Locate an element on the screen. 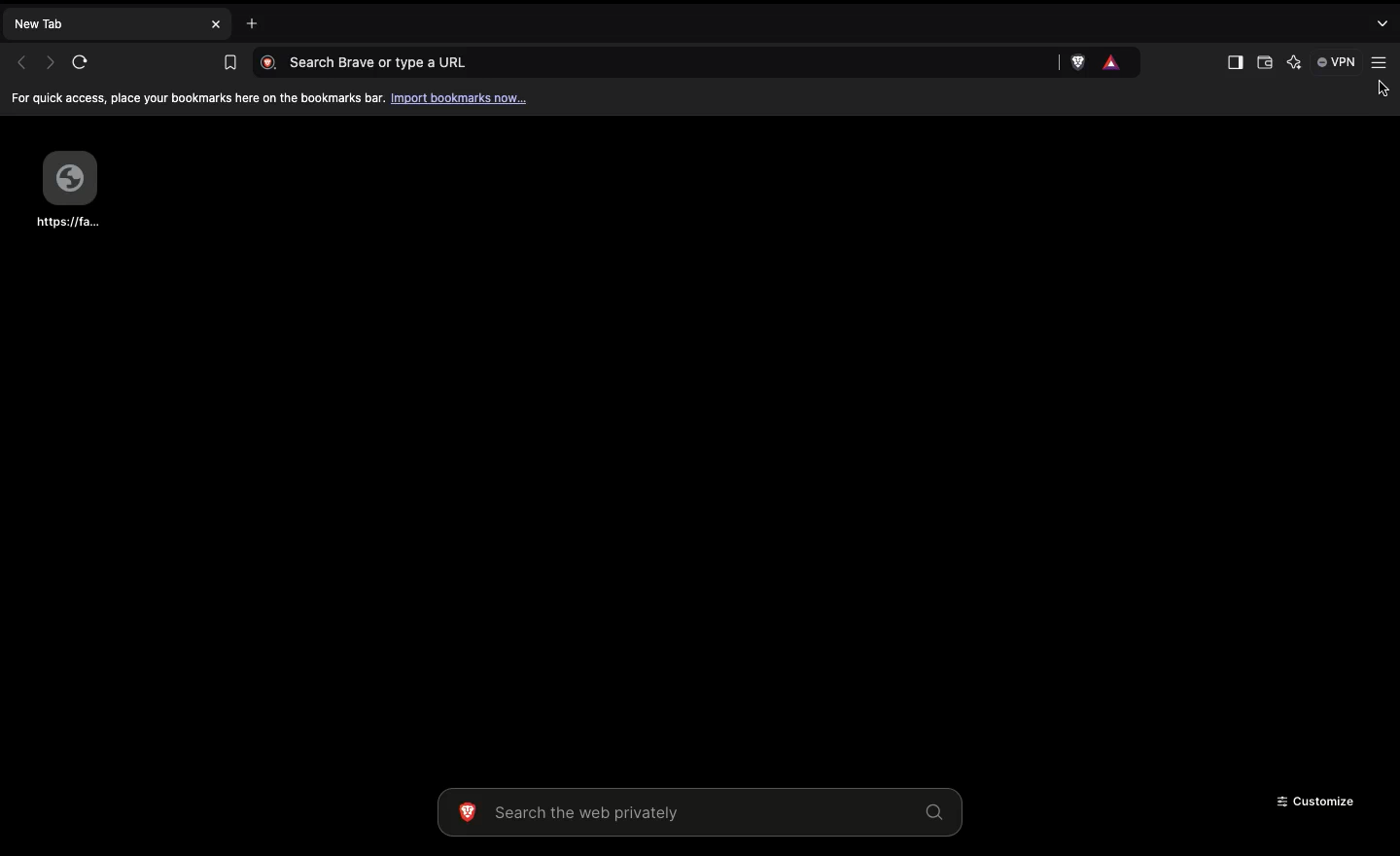 Image resolution: width=1400 pixels, height=856 pixels. Sidebar is located at coordinates (1233, 62).